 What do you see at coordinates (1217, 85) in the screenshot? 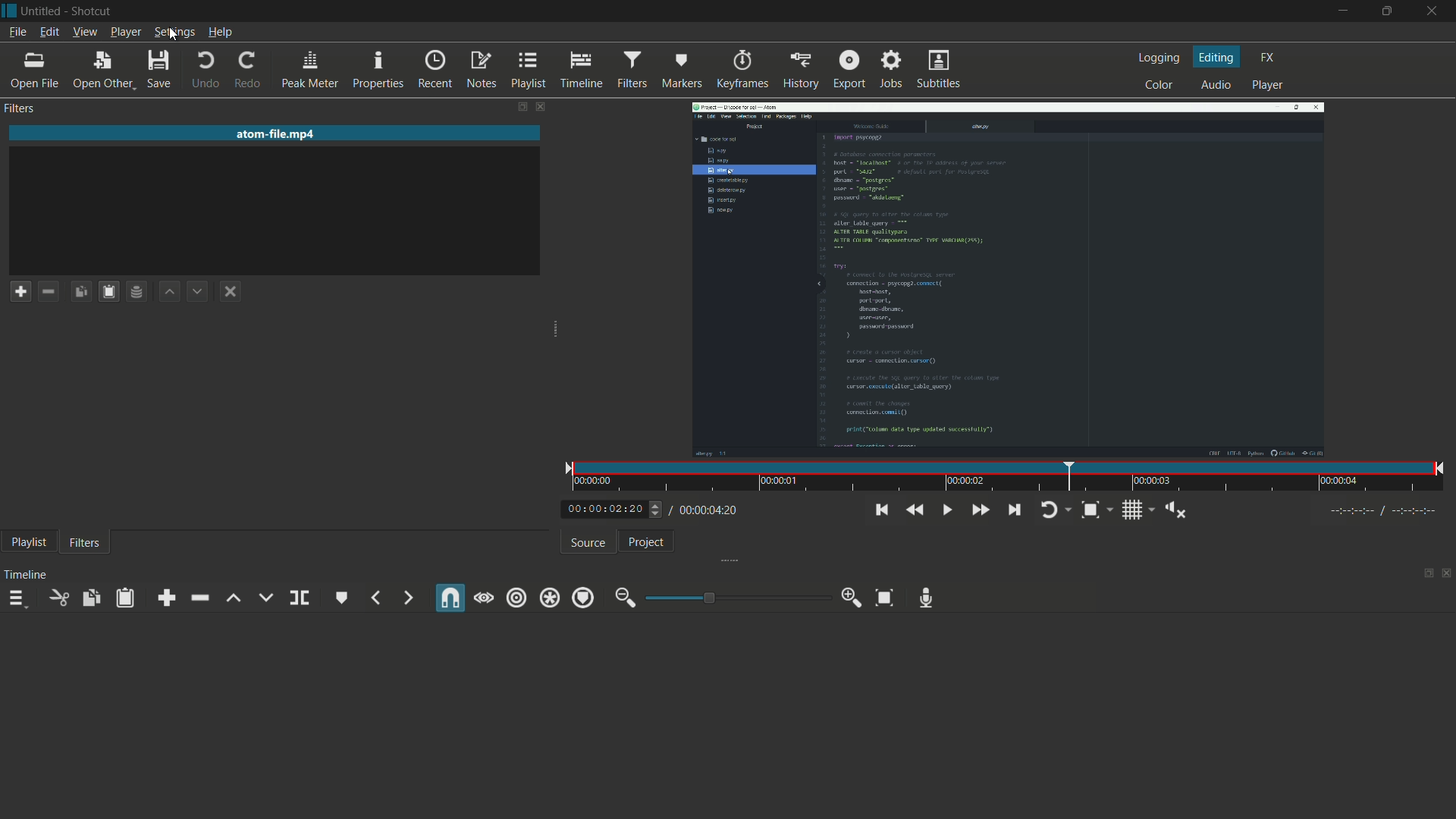
I see `audio` at bounding box center [1217, 85].